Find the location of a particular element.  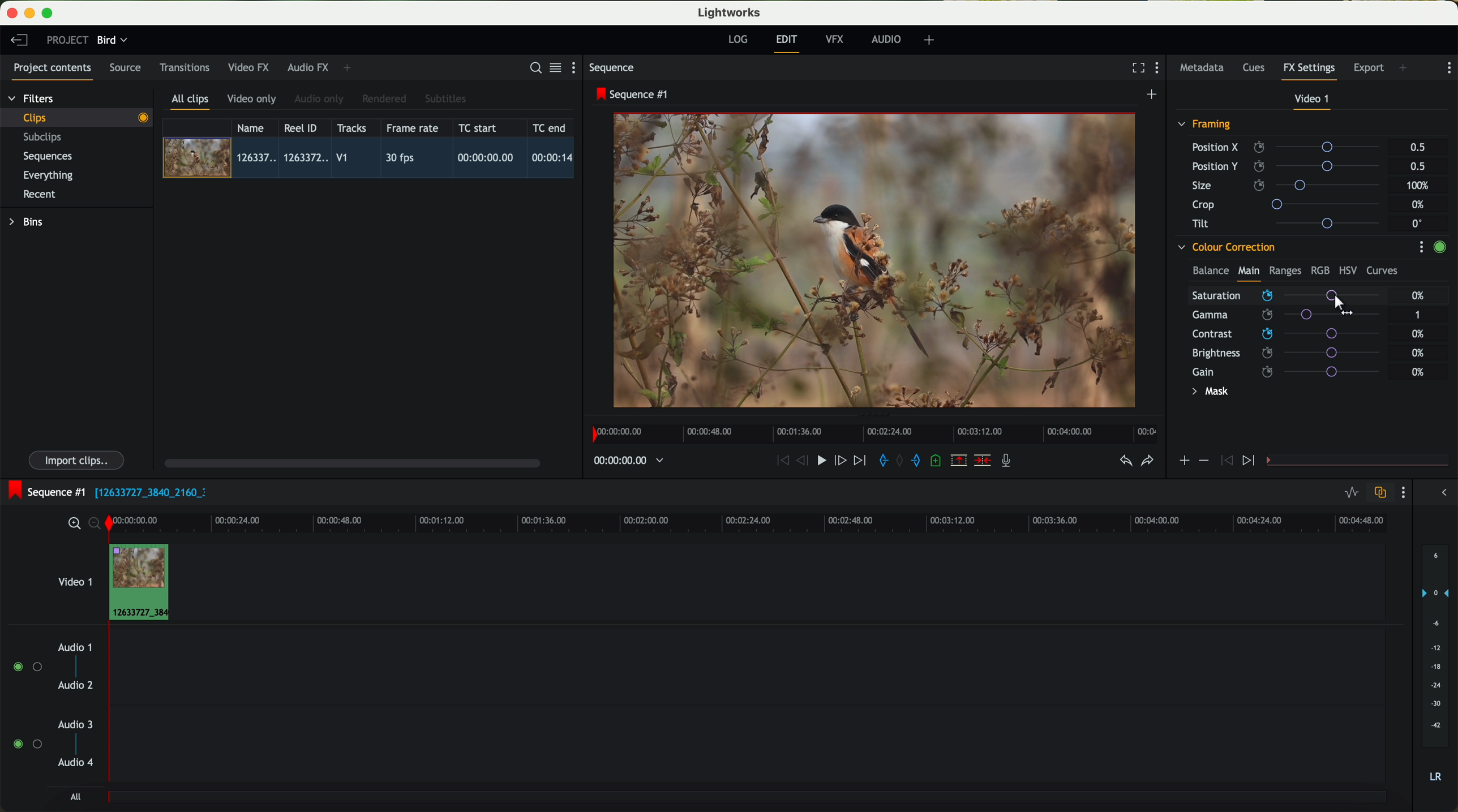

edit is located at coordinates (788, 42).